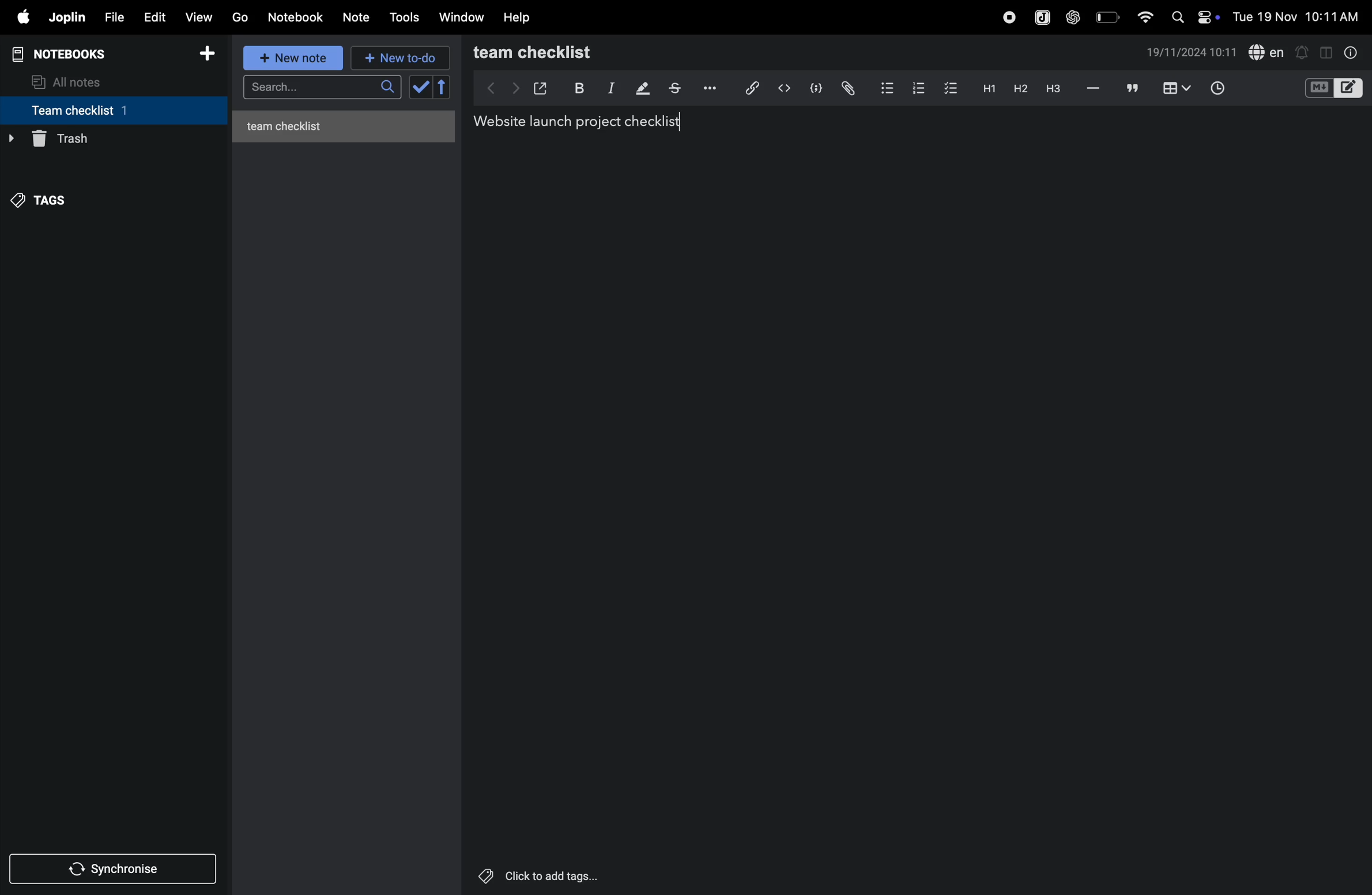  What do you see at coordinates (295, 59) in the screenshot?
I see `new note` at bounding box center [295, 59].